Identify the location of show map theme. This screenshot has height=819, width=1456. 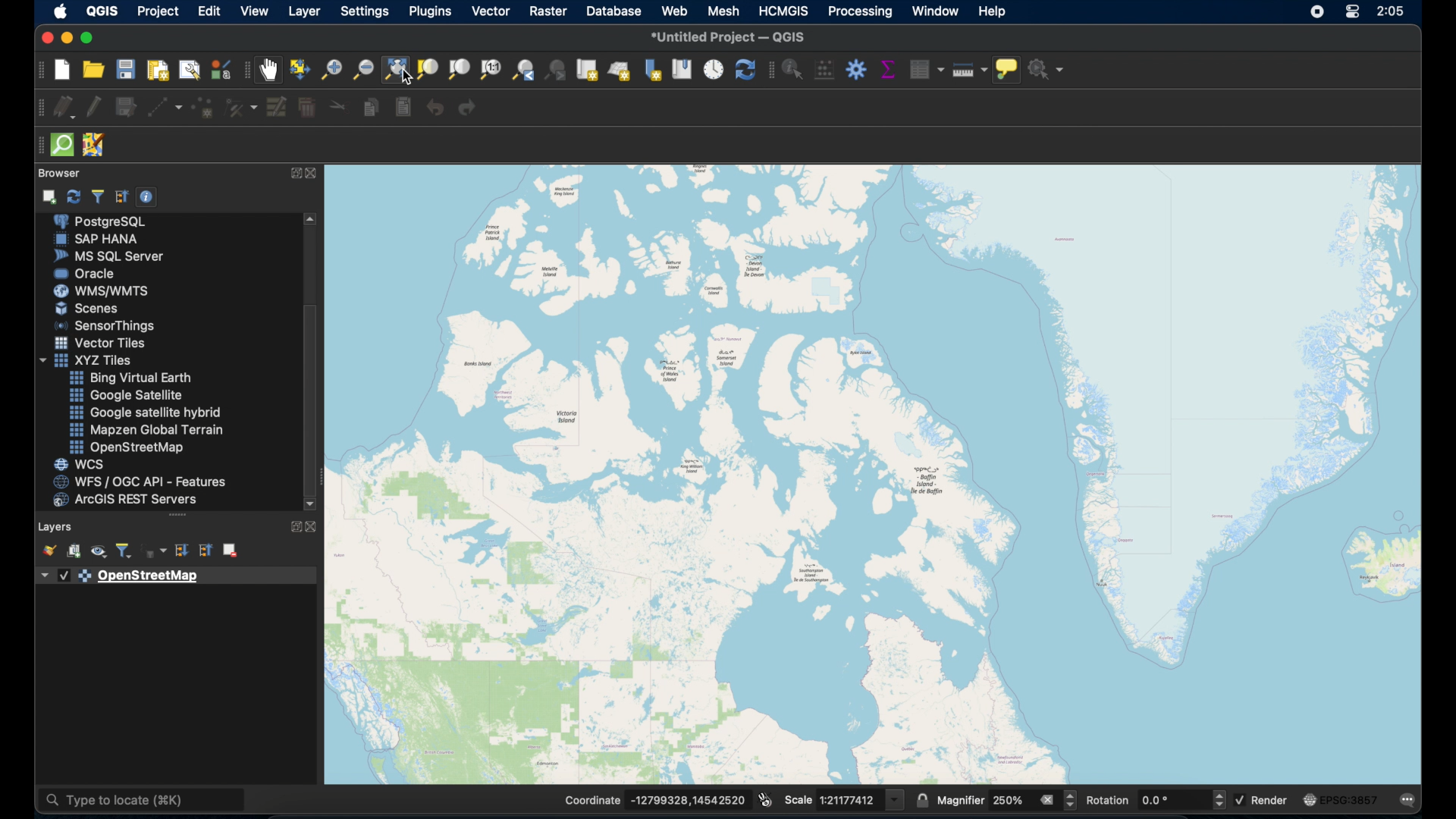
(99, 552).